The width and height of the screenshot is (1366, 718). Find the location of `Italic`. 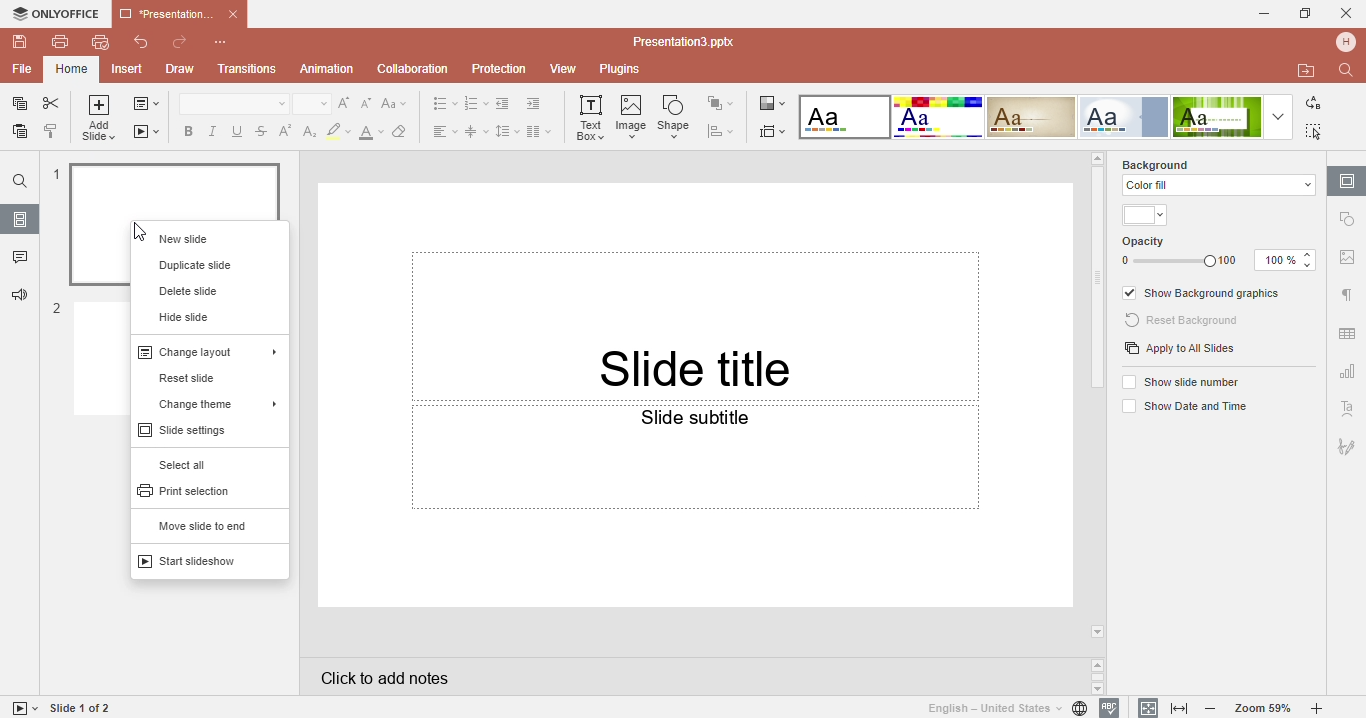

Italic is located at coordinates (215, 131).